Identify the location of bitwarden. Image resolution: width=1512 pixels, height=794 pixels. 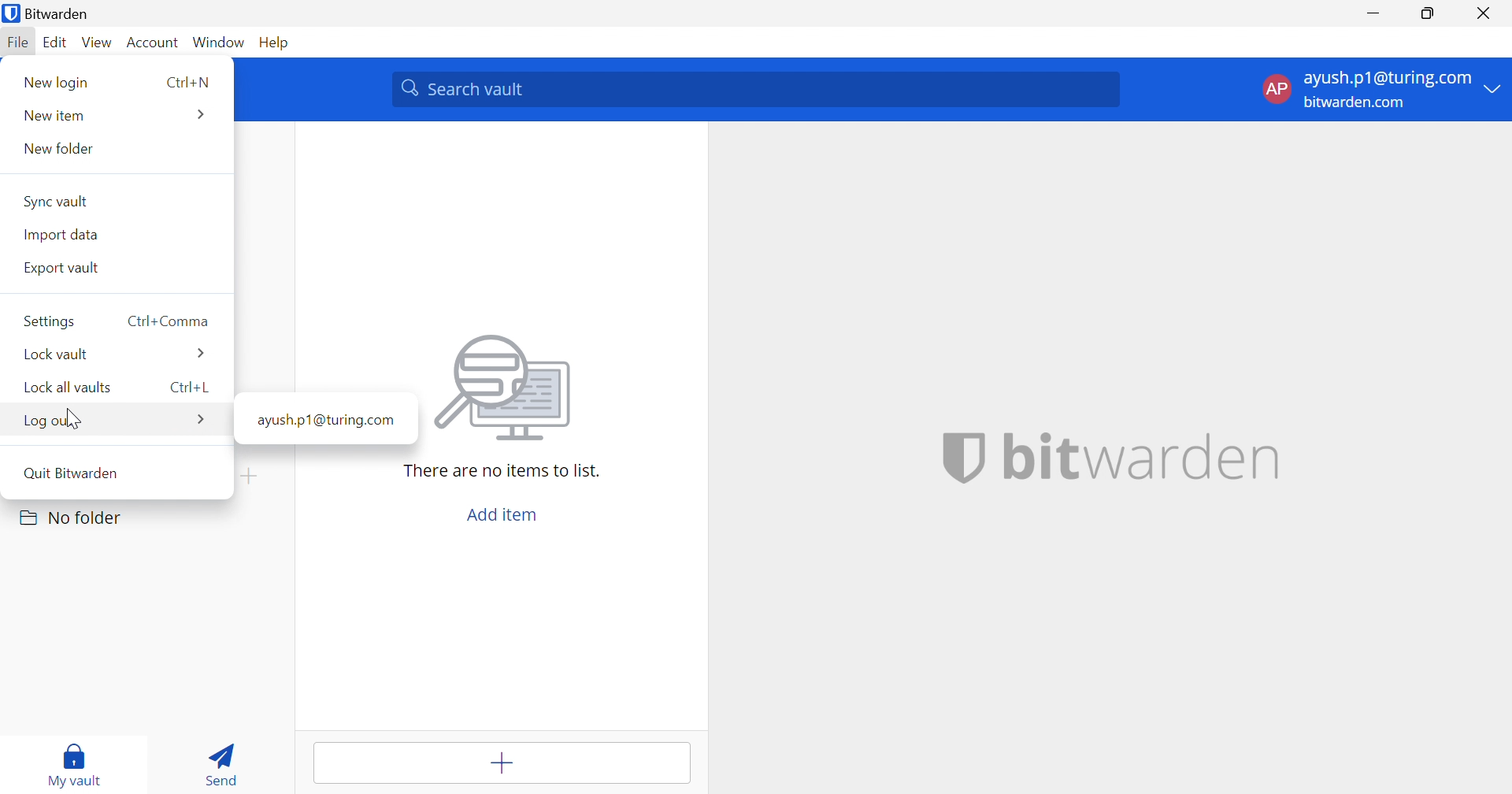
(1144, 456).